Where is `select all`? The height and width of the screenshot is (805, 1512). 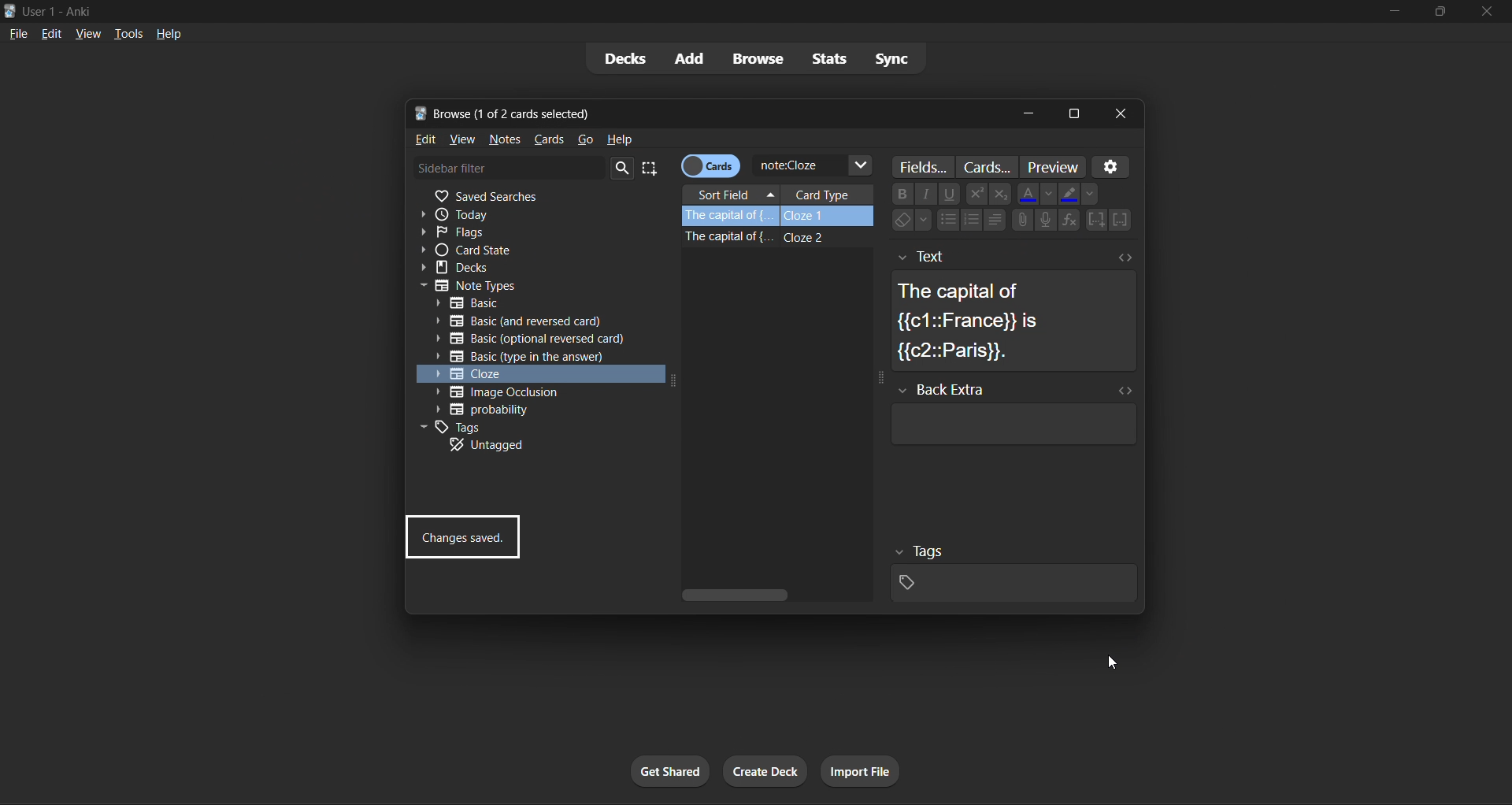
select all is located at coordinates (655, 169).